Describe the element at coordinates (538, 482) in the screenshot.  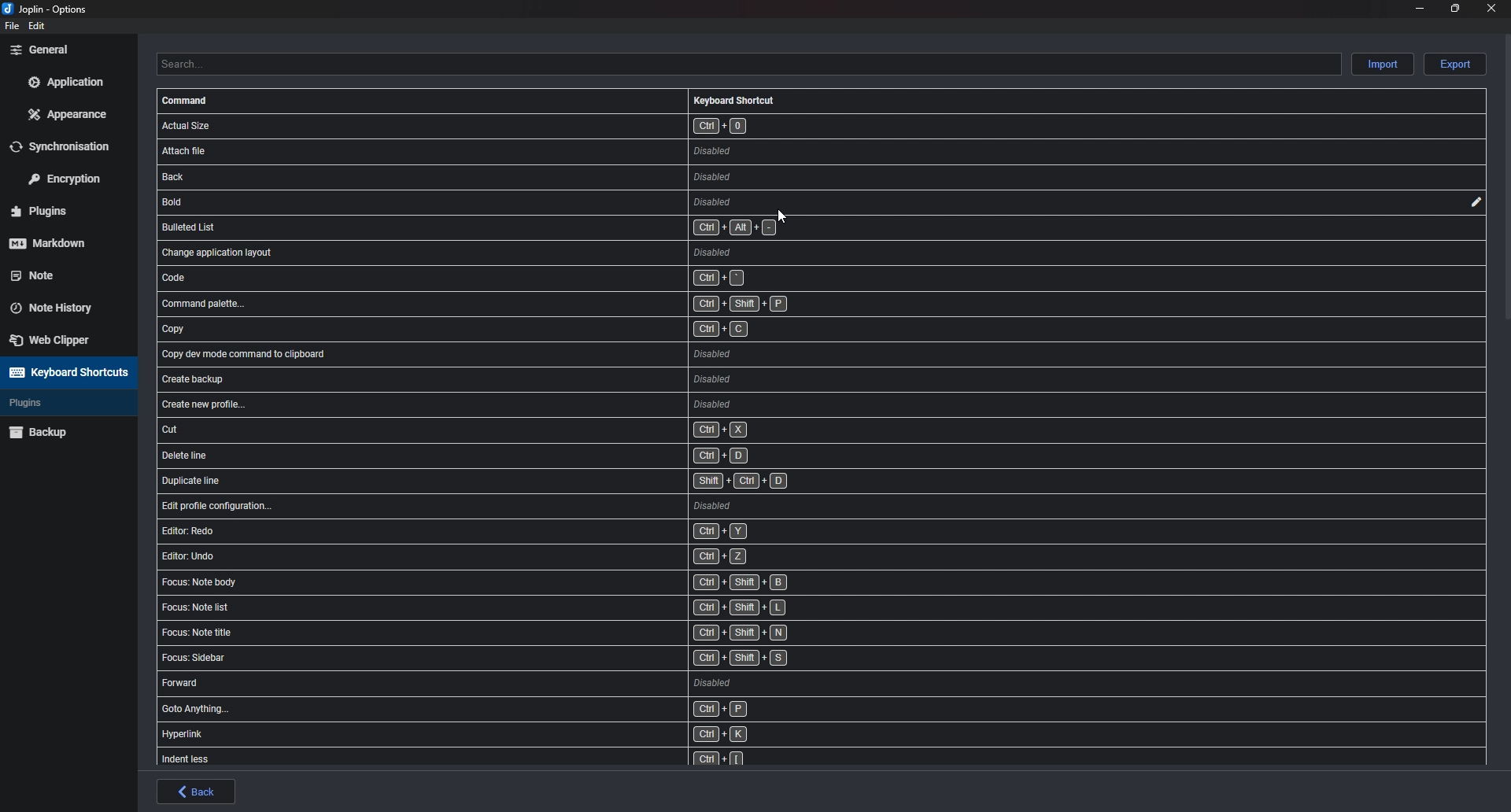
I see `shortcut` at that location.